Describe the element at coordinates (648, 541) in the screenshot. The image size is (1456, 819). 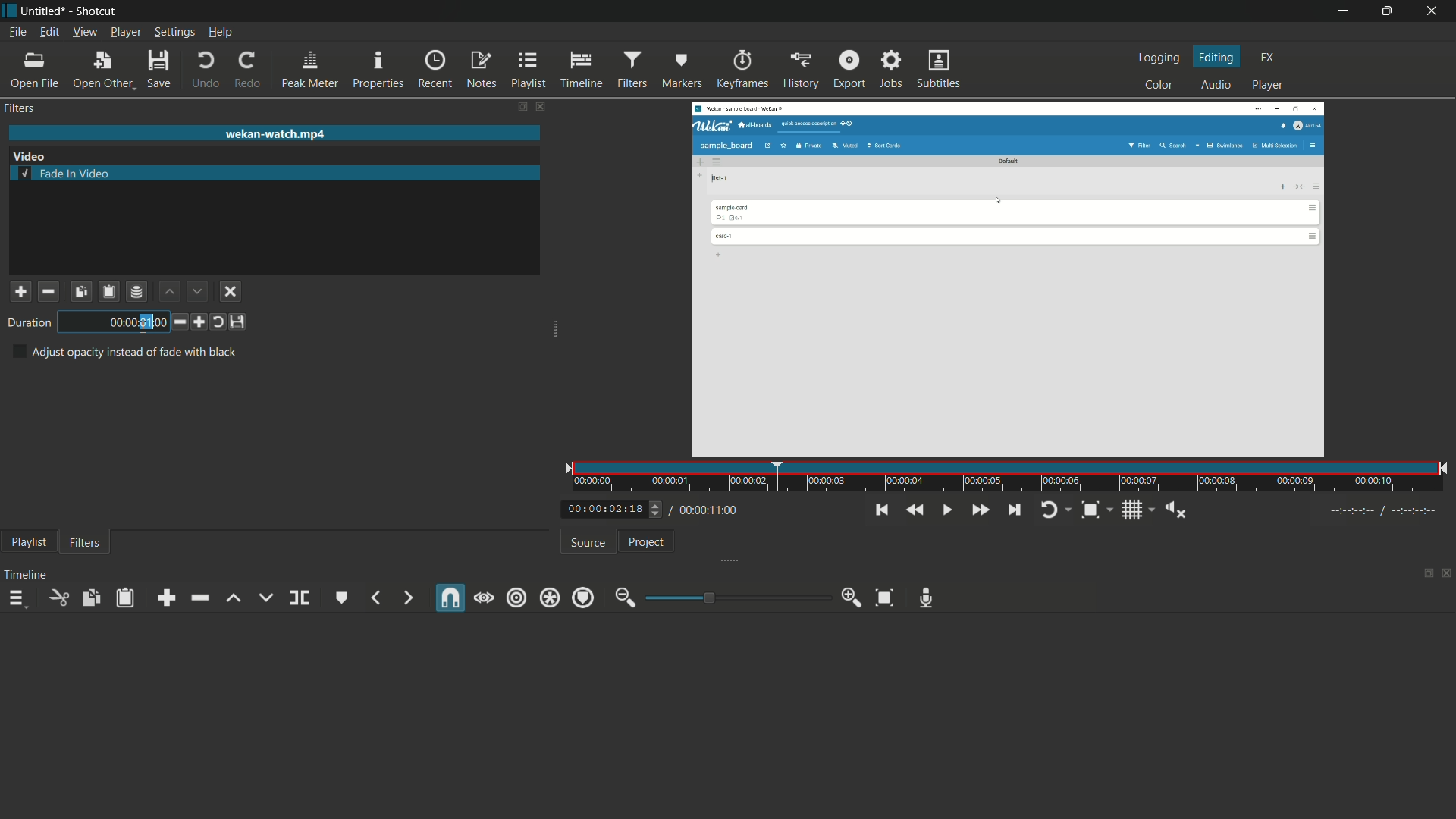
I see `project` at that location.